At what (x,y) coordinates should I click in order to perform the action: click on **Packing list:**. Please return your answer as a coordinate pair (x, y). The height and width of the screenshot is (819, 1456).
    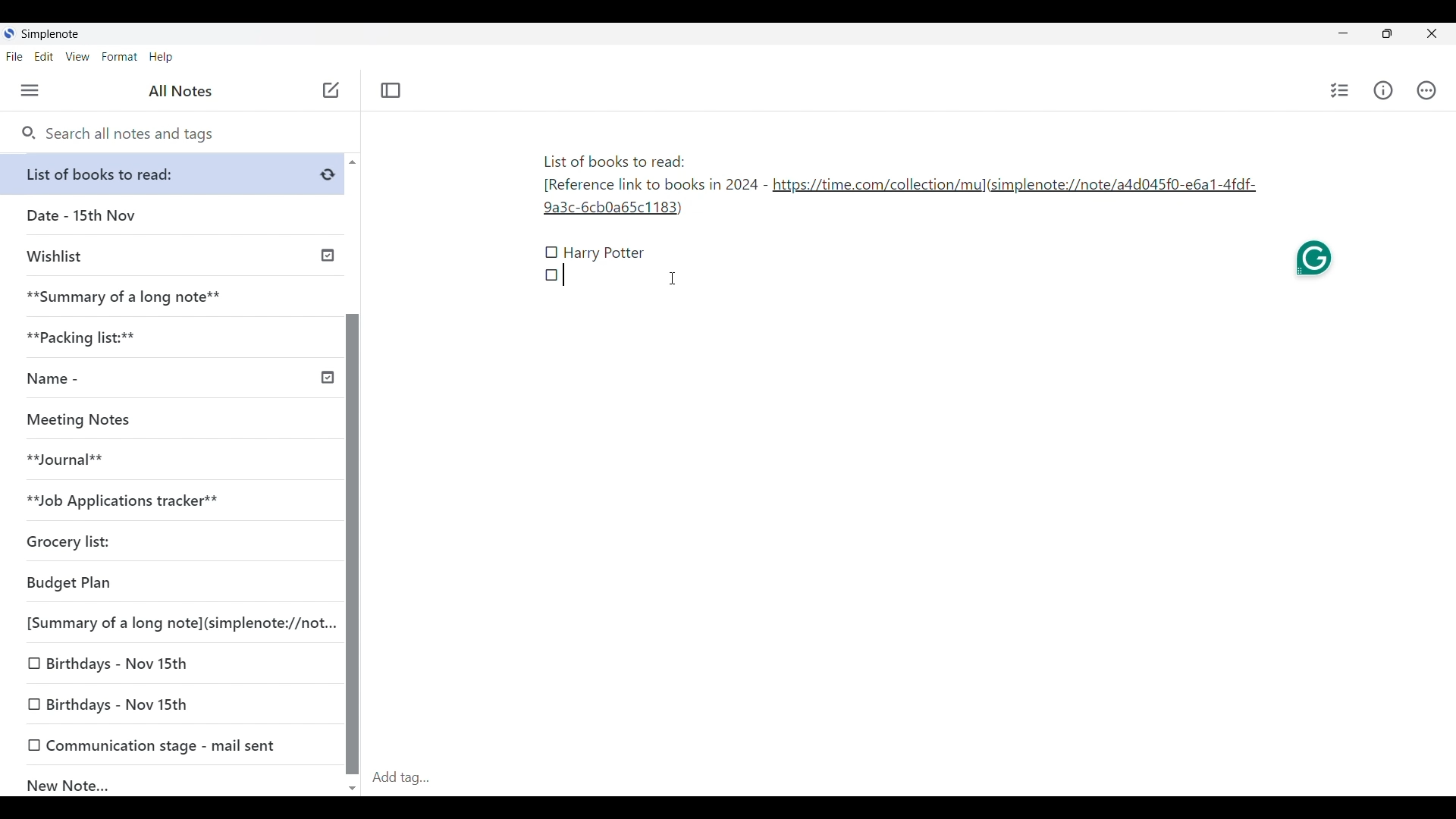
    Looking at the image, I should click on (174, 337).